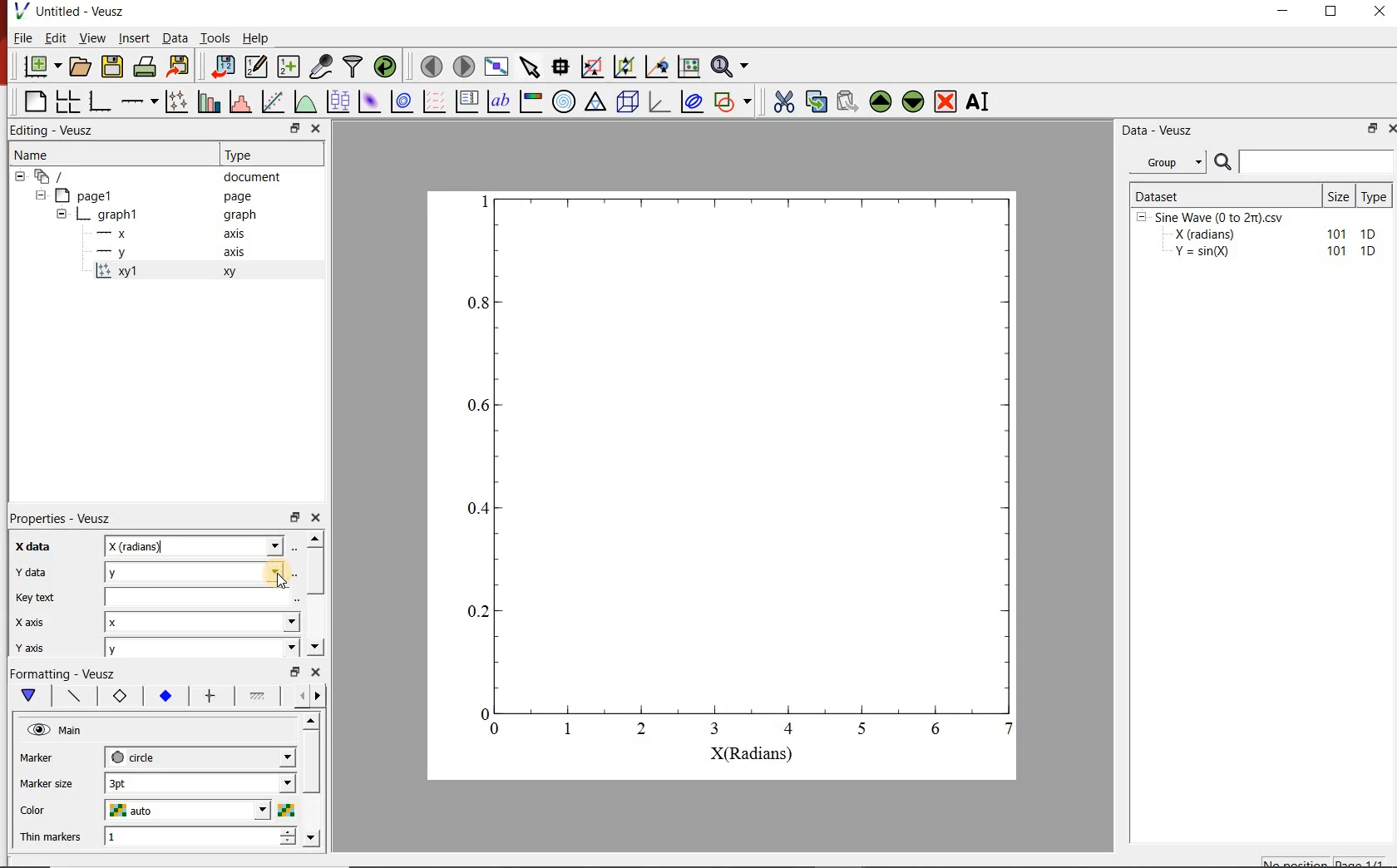 The image size is (1397, 868). I want to click on plot a function, so click(307, 101).